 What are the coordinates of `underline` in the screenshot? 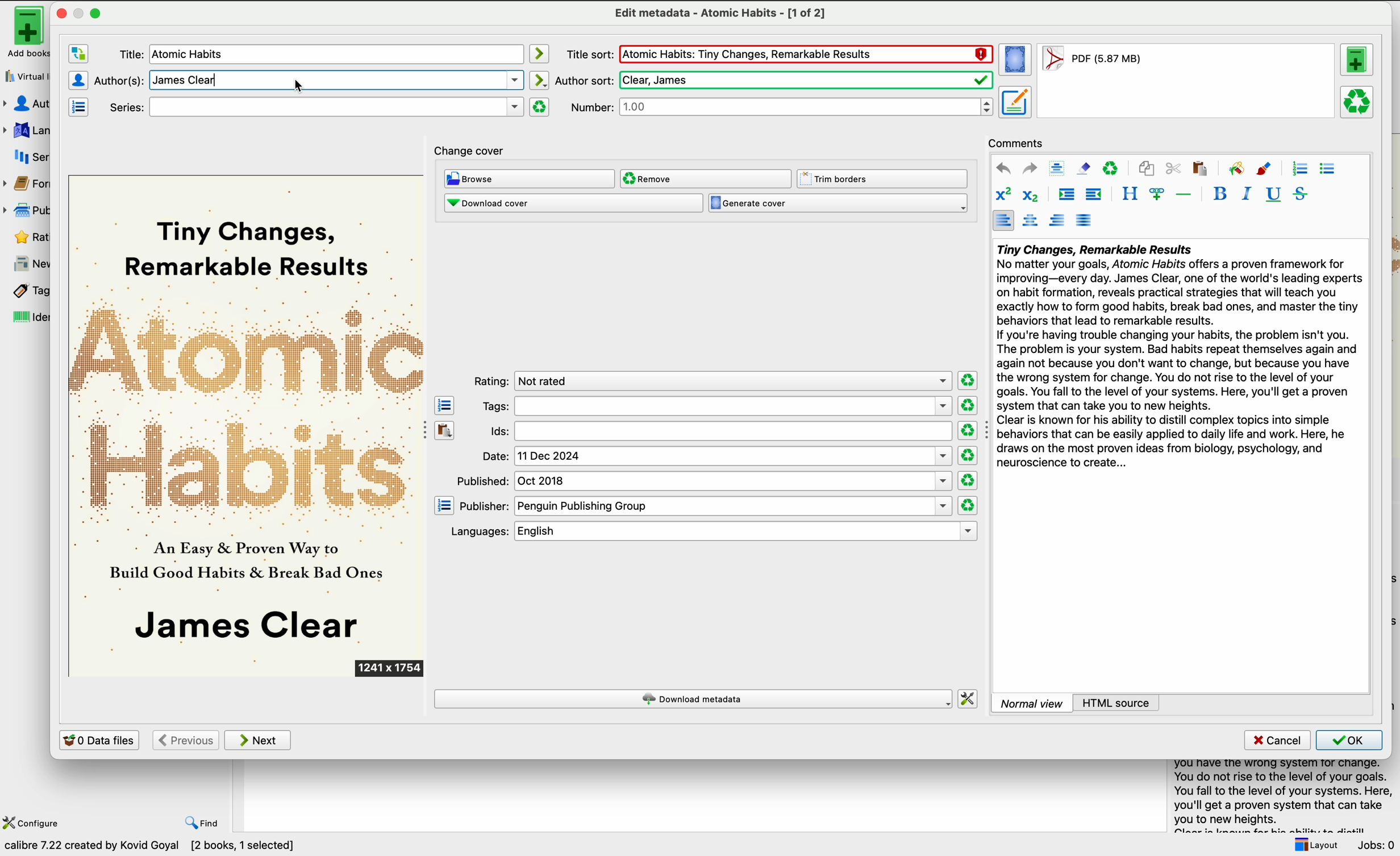 It's located at (1274, 195).